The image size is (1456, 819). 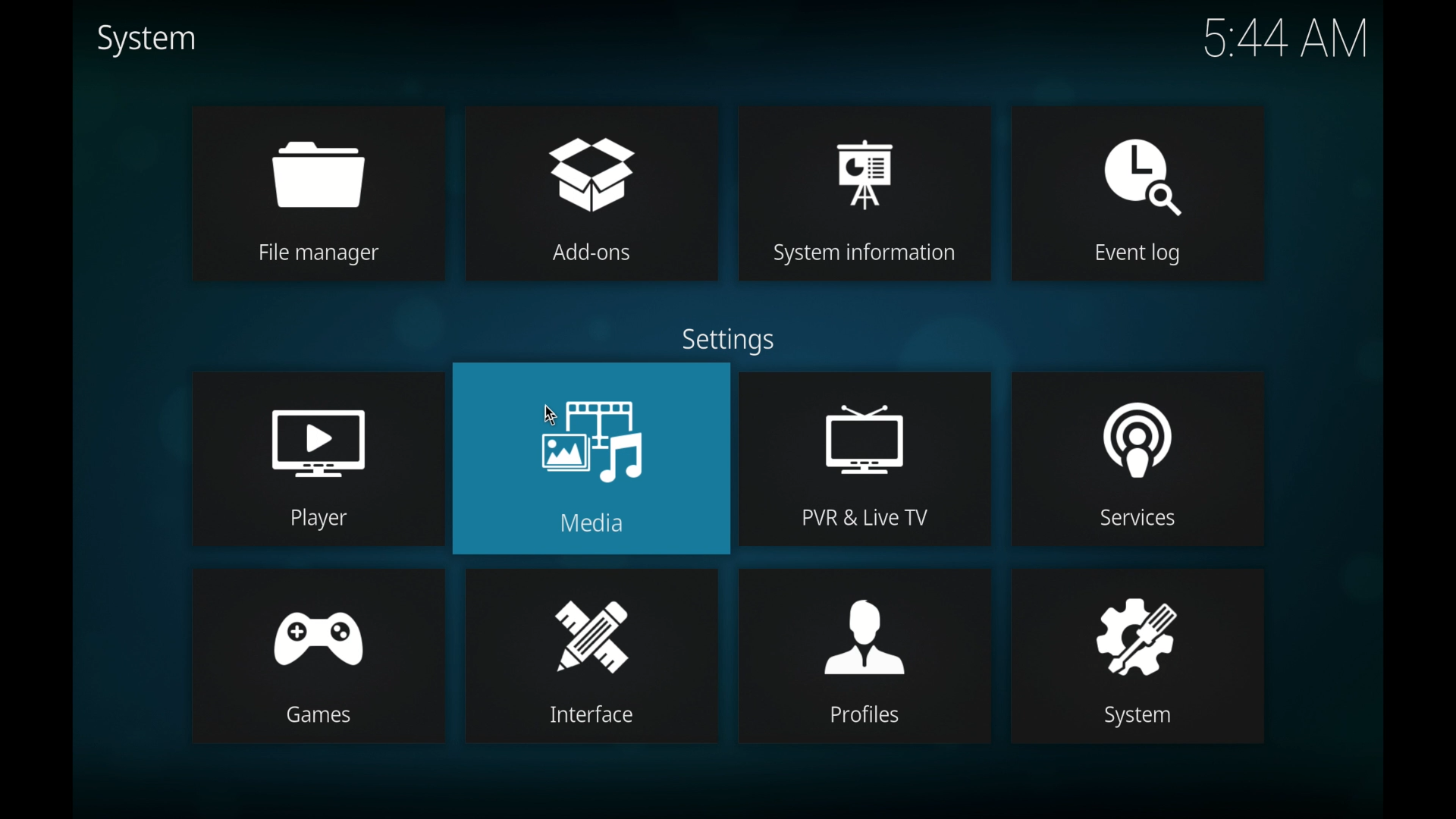 What do you see at coordinates (591, 458) in the screenshot?
I see `media` at bounding box center [591, 458].